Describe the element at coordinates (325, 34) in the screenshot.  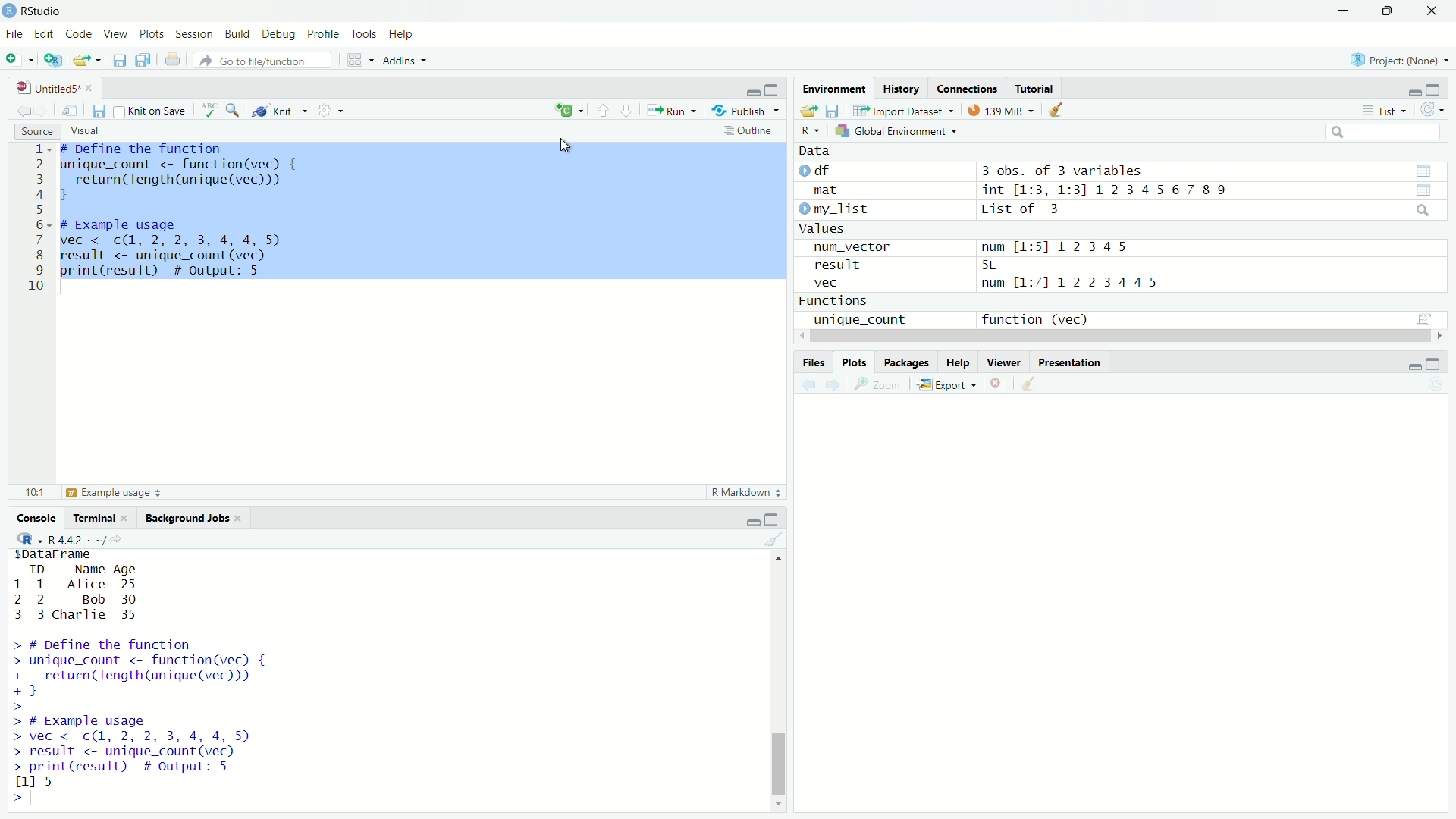
I see `Profile` at that location.